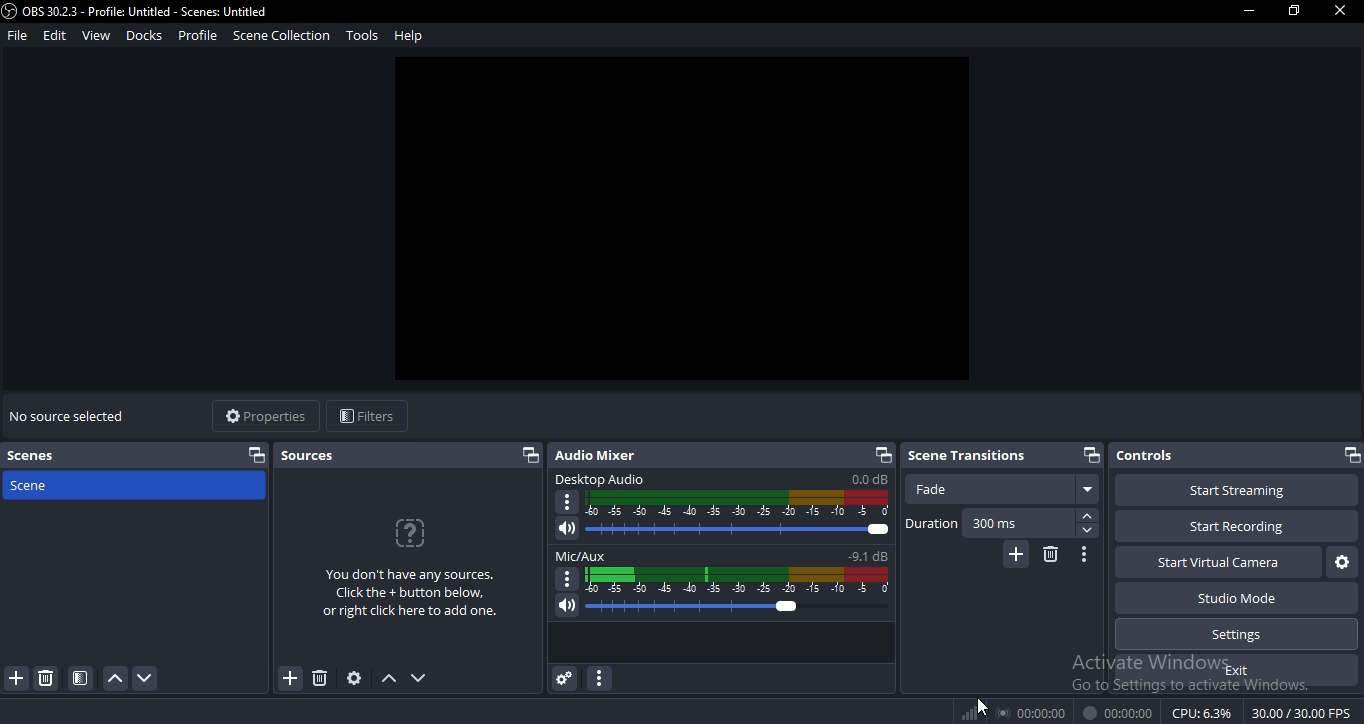  Describe the element at coordinates (116, 679) in the screenshot. I see `move scene up ` at that location.